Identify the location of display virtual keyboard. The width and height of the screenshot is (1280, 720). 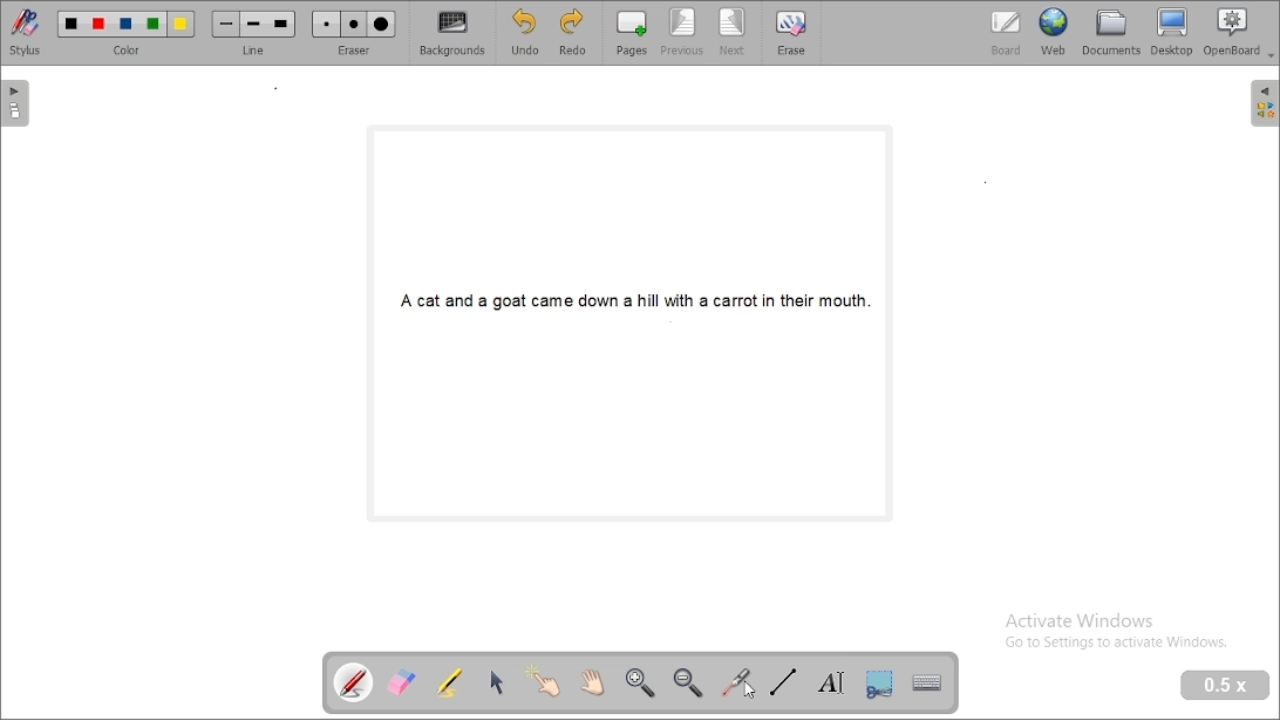
(928, 683).